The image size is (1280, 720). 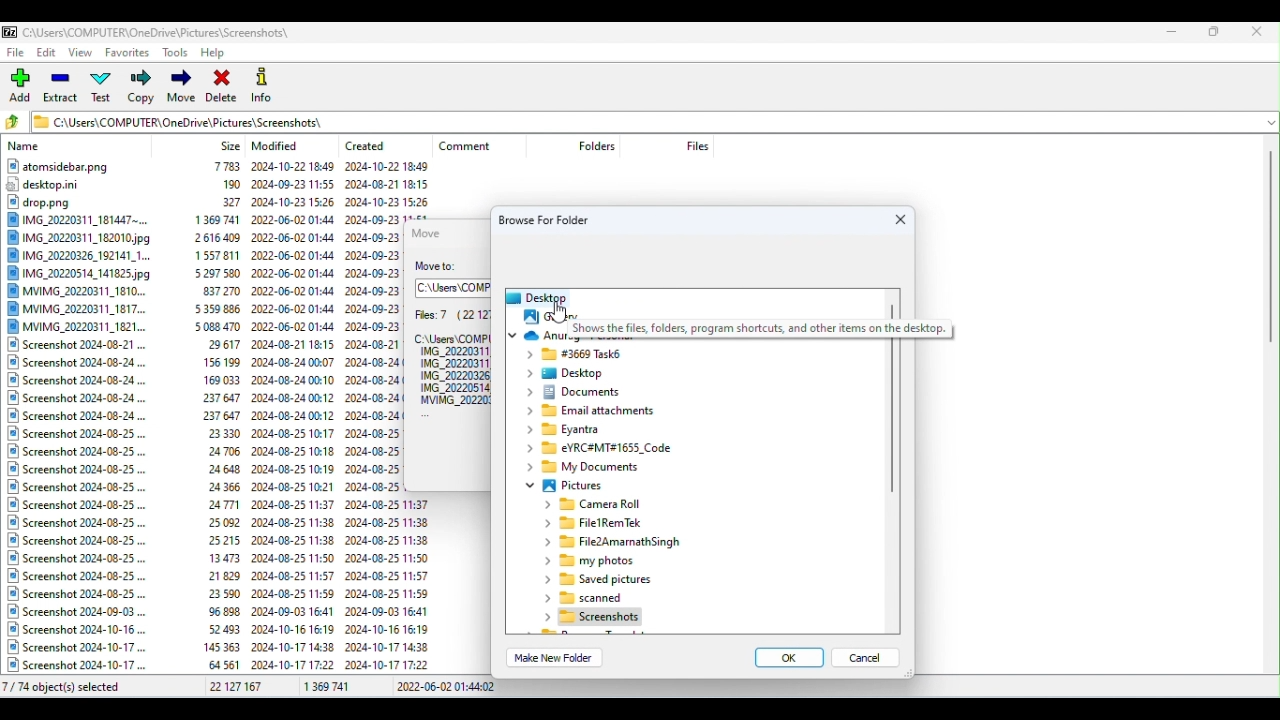 What do you see at coordinates (23, 86) in the screenshot?
I see `Add` at bounding box center [23, 86].